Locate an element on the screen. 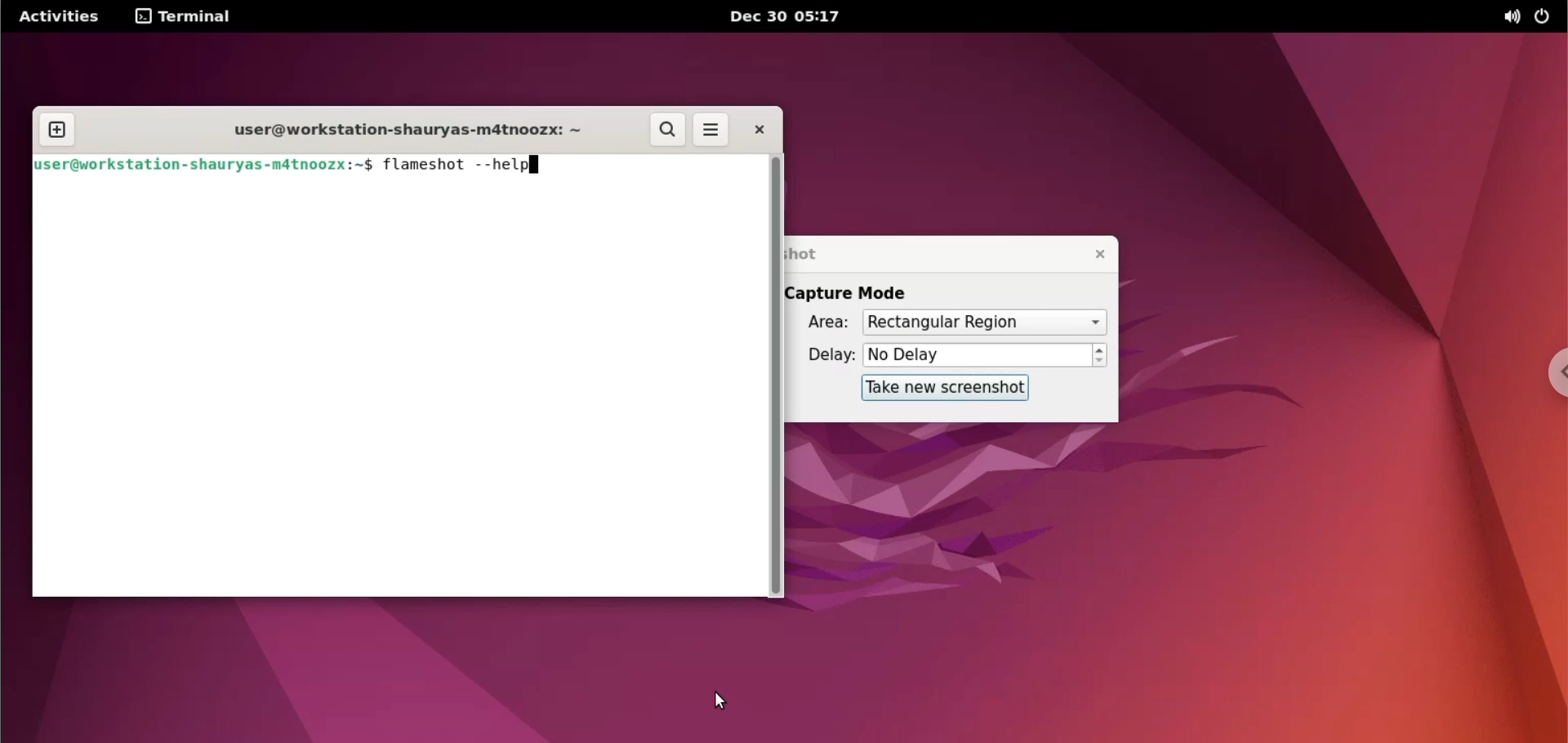 This screenshot has height=743, width=1568. area: is located at coordinates (824, 323).